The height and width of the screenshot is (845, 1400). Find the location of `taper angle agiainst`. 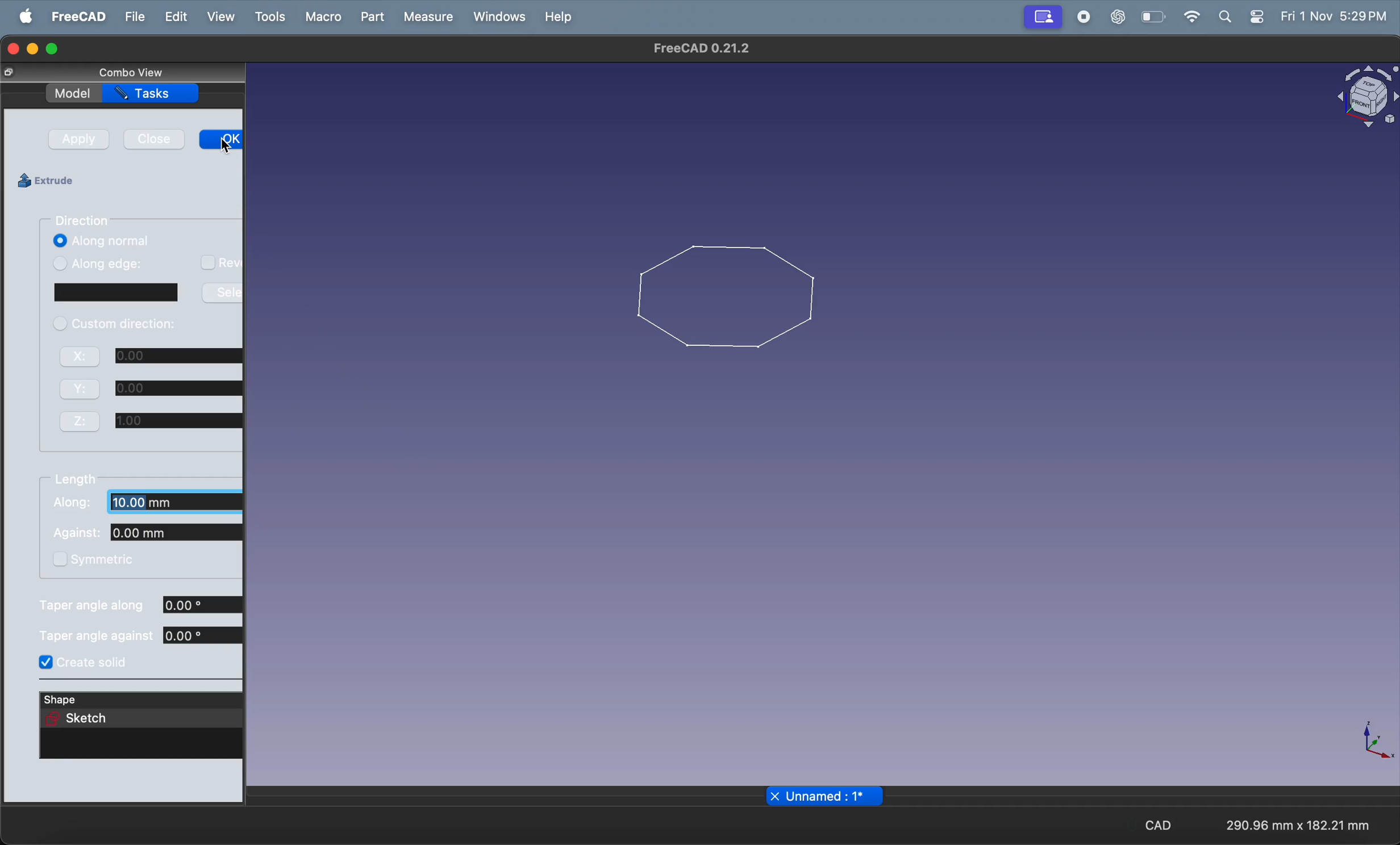

taper angle agiainst is located at coordinates (132, 639).